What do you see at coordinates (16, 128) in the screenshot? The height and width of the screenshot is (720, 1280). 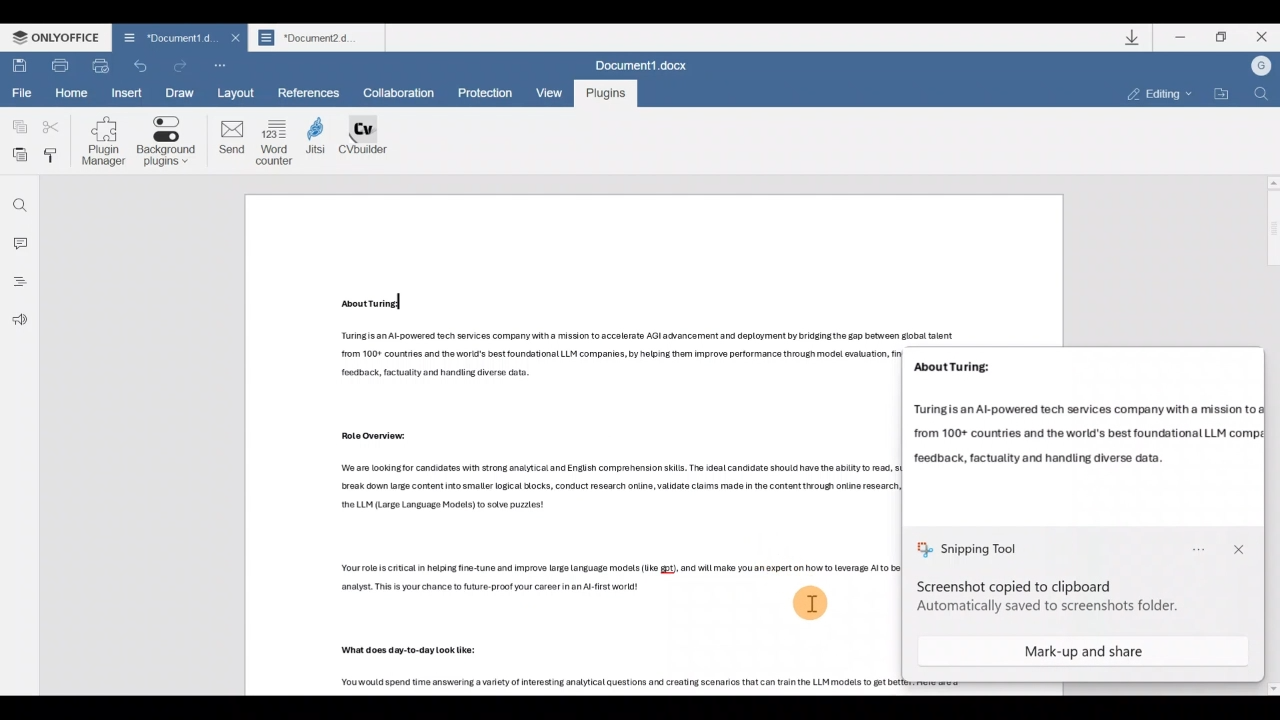 I see `Copy` at bounding box center [16, 128].